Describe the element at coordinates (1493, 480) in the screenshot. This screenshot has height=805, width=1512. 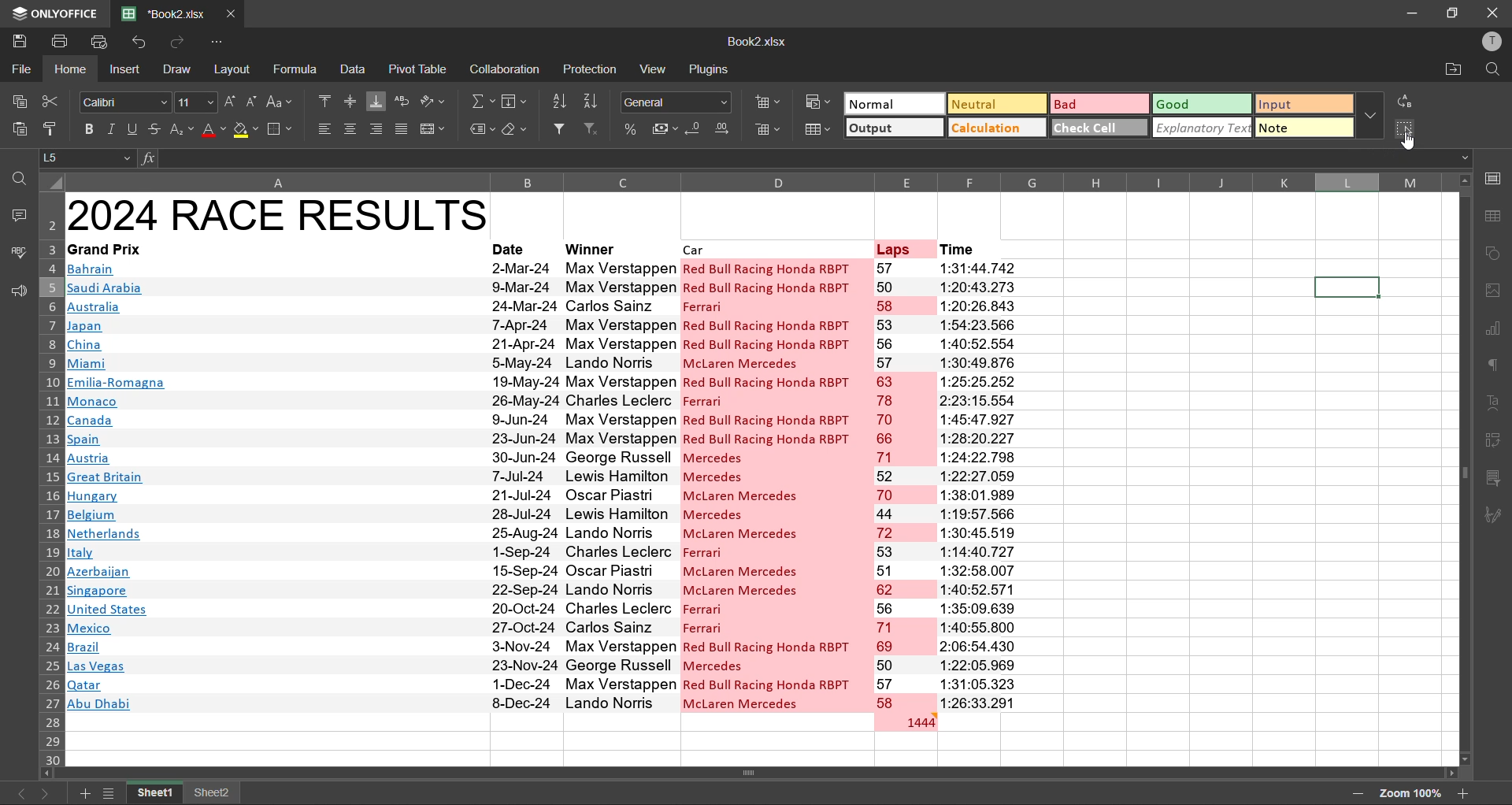
I see `slicer` at that location.